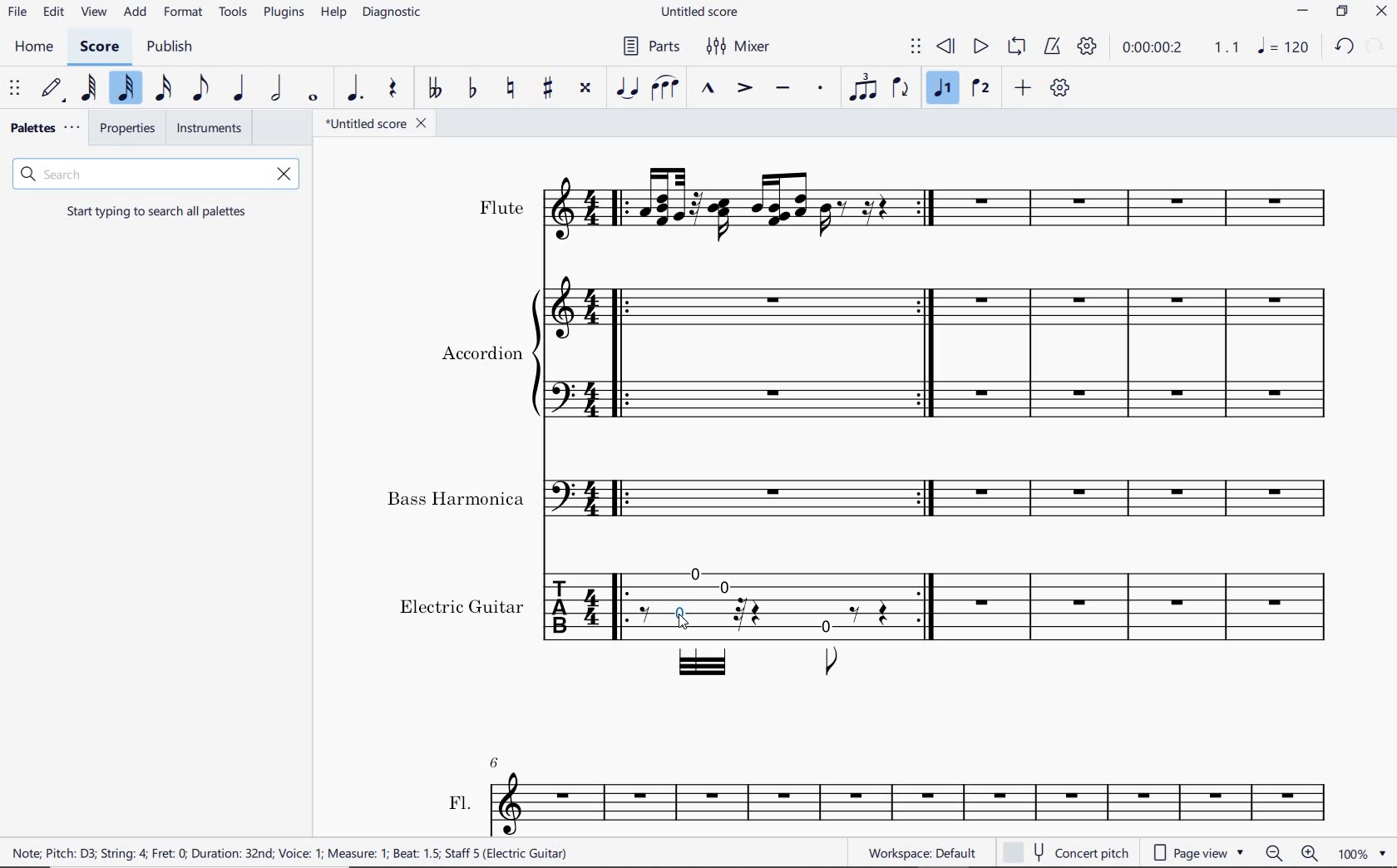 This screenshot has height=868, width=1397. I want to click on toggle double-sharp, so click(587, 88).